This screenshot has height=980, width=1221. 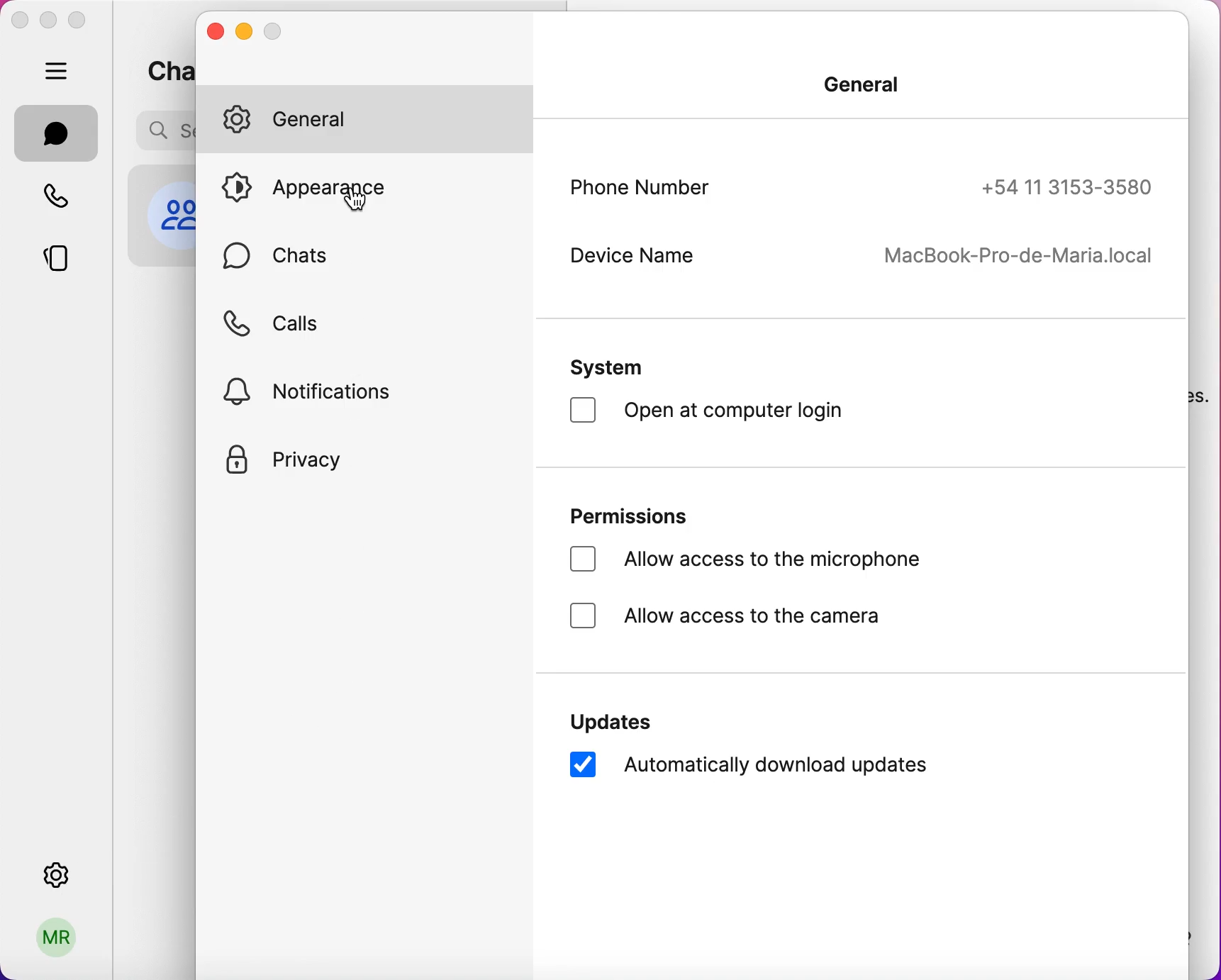 I want to click on calls, so click(x=55, y=199).